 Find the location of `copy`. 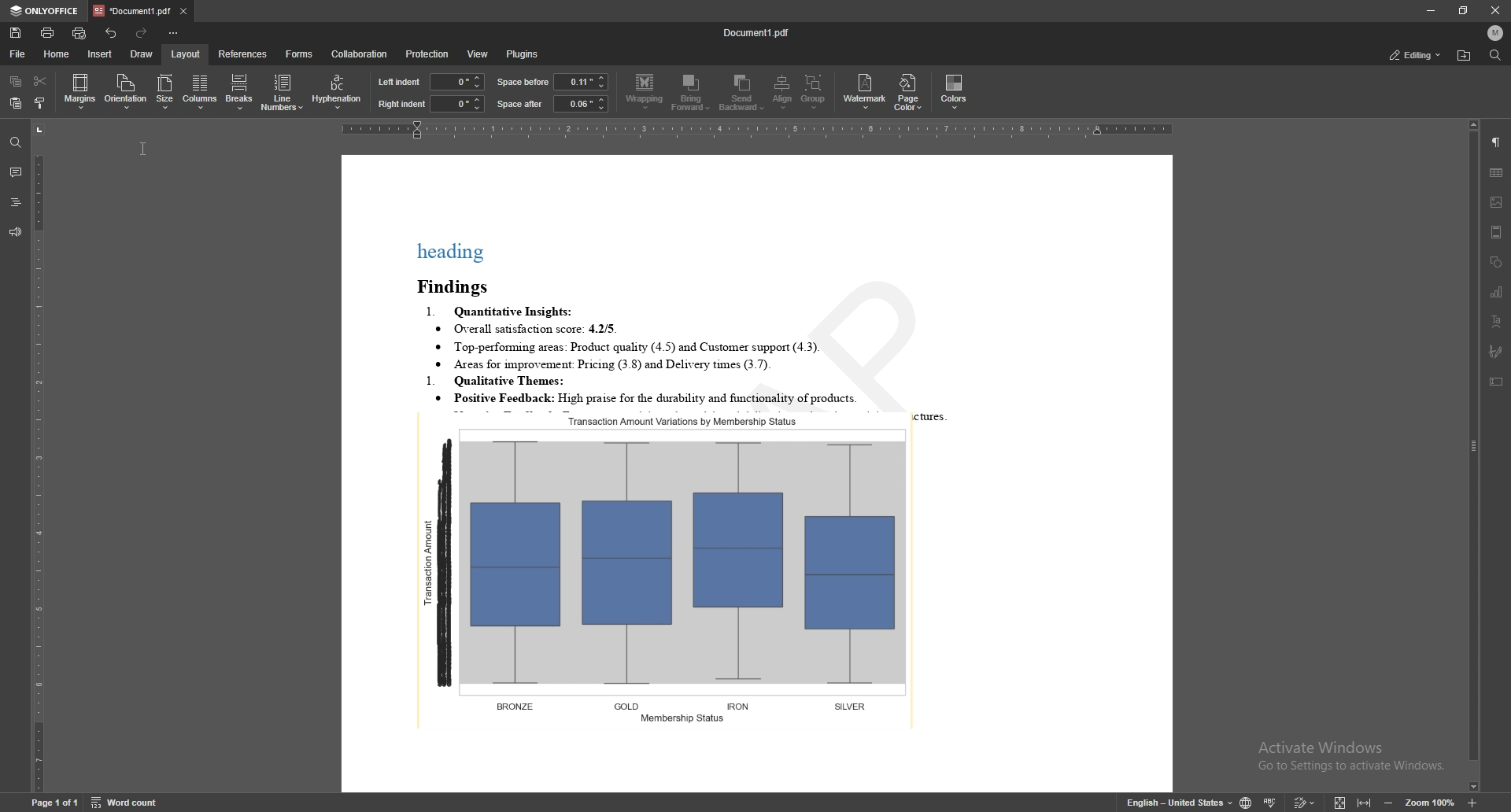

copy is located at coordinates (16, 80).